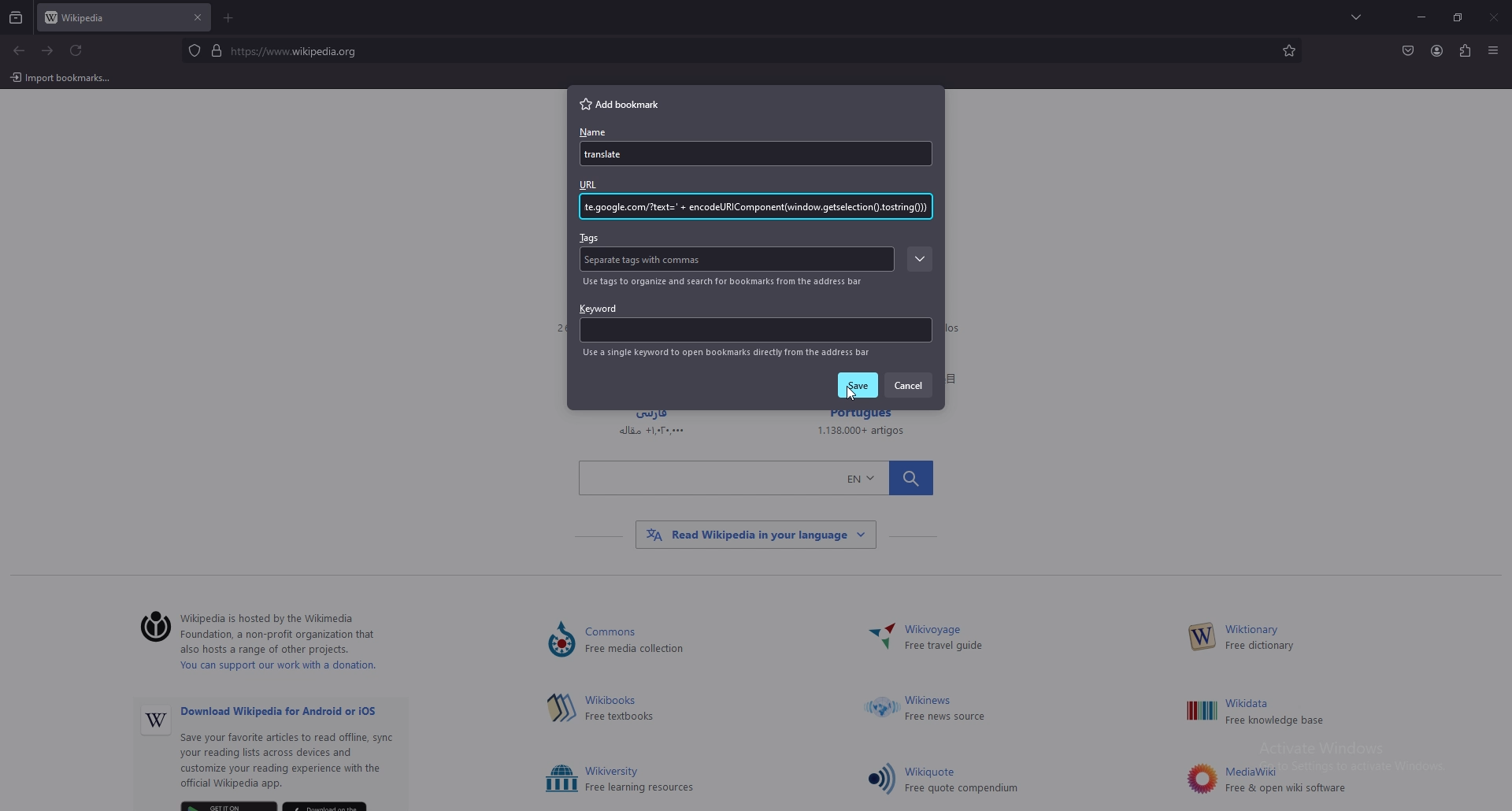 This screenshot has width=1512, height=811. What do you see at coordinates (291, 644) in the screenshot?
I see `‘Wikipedia is hosted by the Wikimedia

) Foundation, a non-profit organization that
also hosts a range of other projects.
You can support our work with a donation.` at bounding box center [291, 644].